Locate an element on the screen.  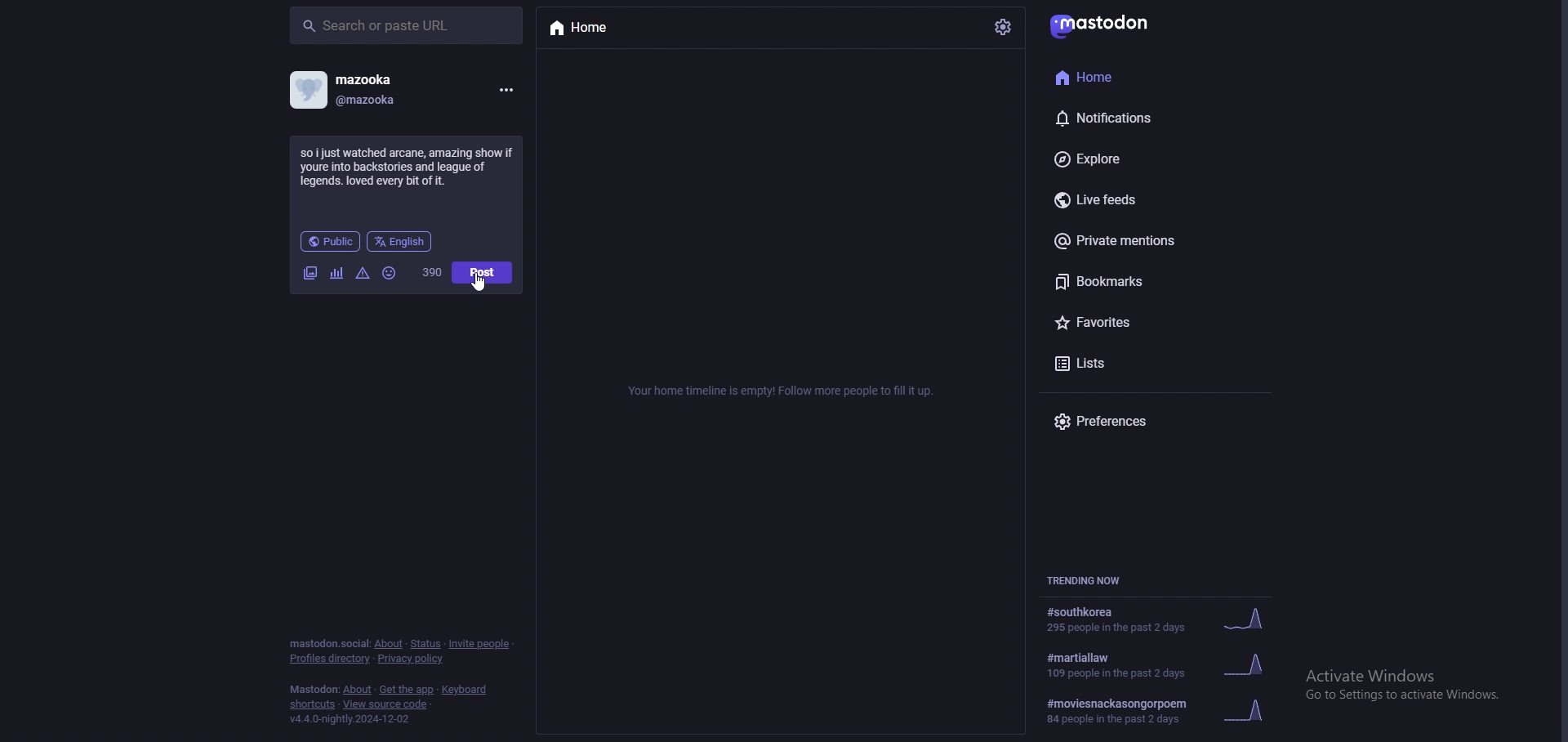
version is located at coordinates (353, 718).